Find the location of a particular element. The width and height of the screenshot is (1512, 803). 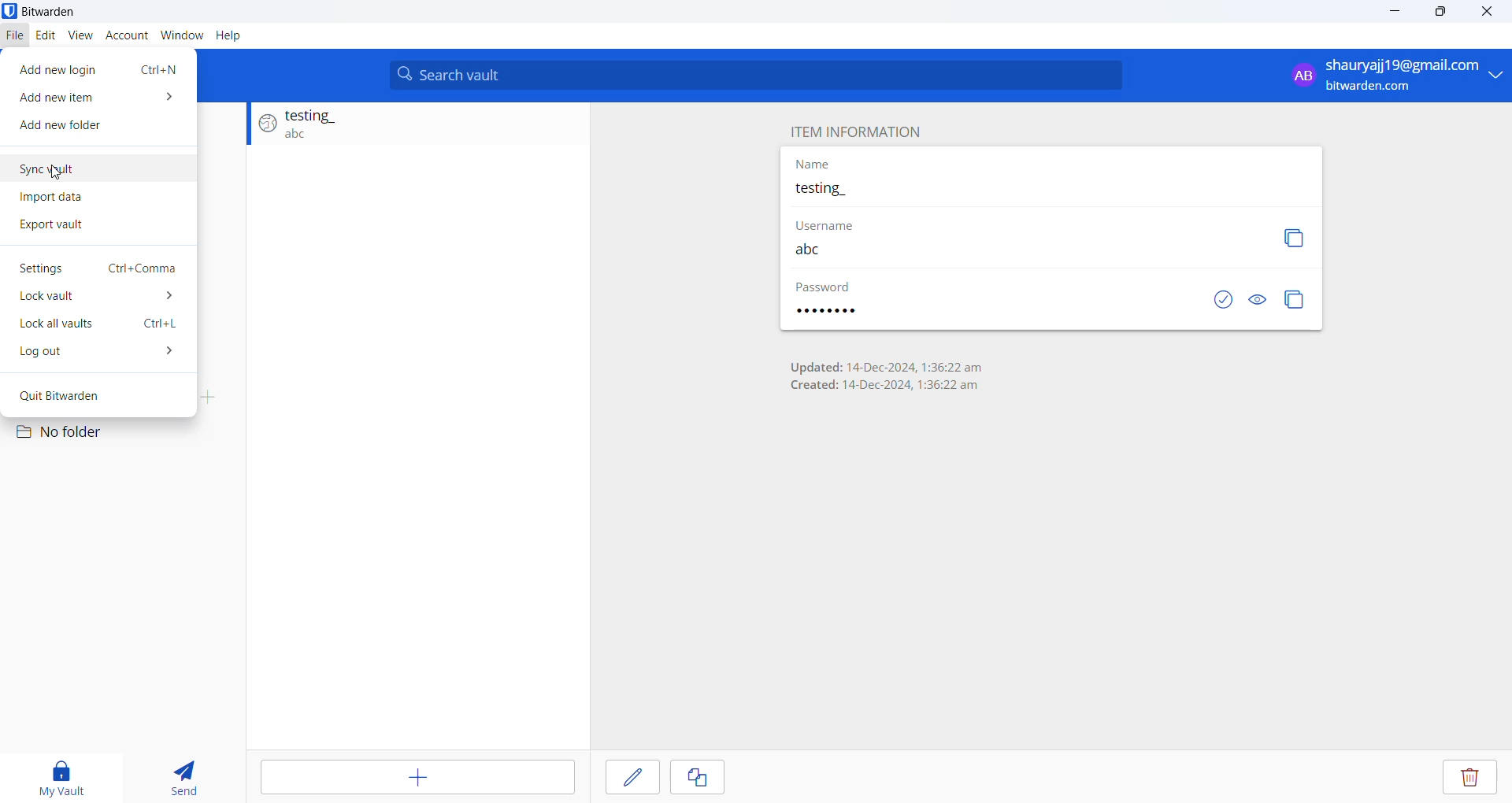

Password hidden is located at coordinates (825, 288).